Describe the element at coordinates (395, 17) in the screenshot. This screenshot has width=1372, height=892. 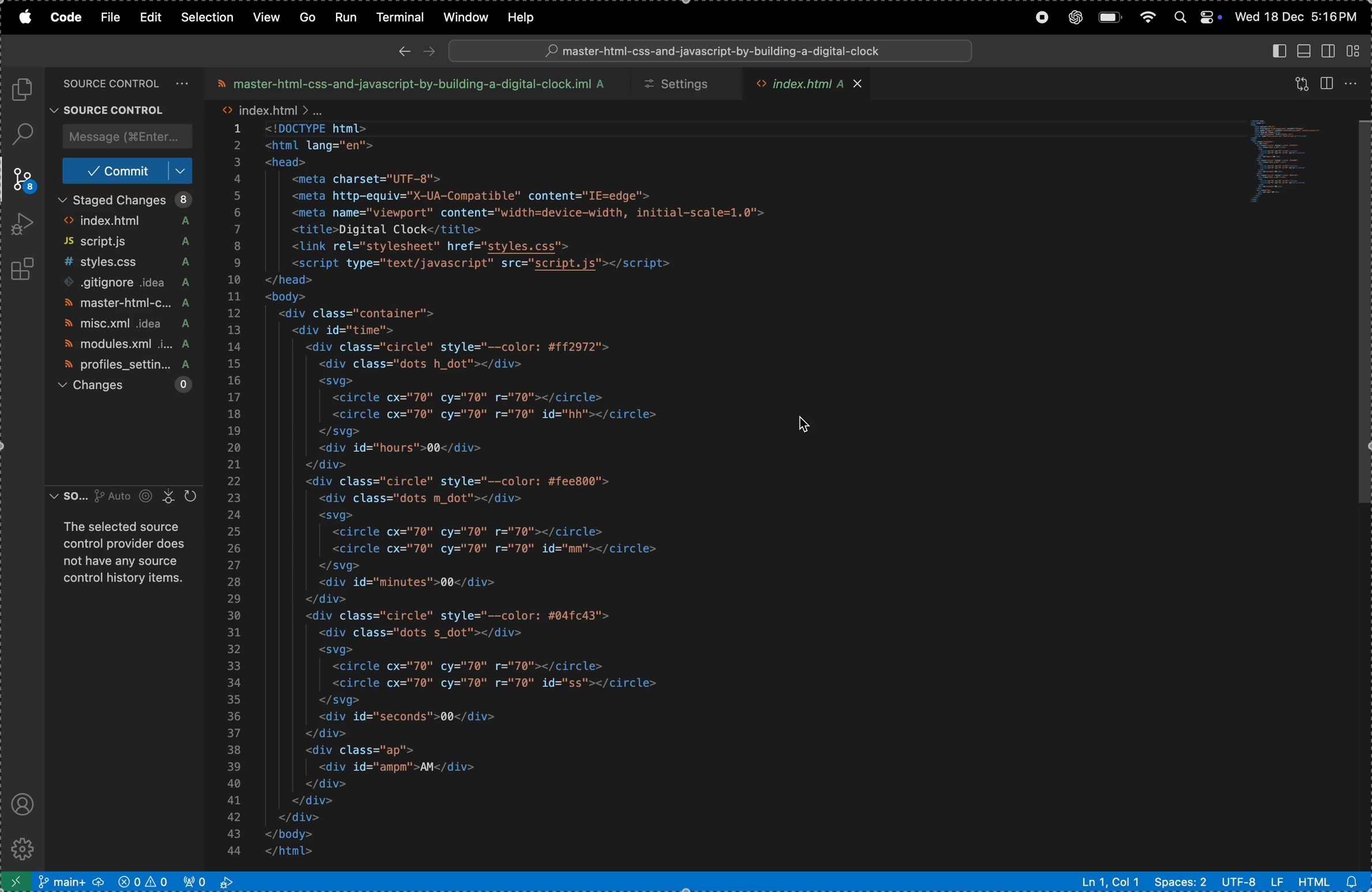
I see `terminal` at that location.